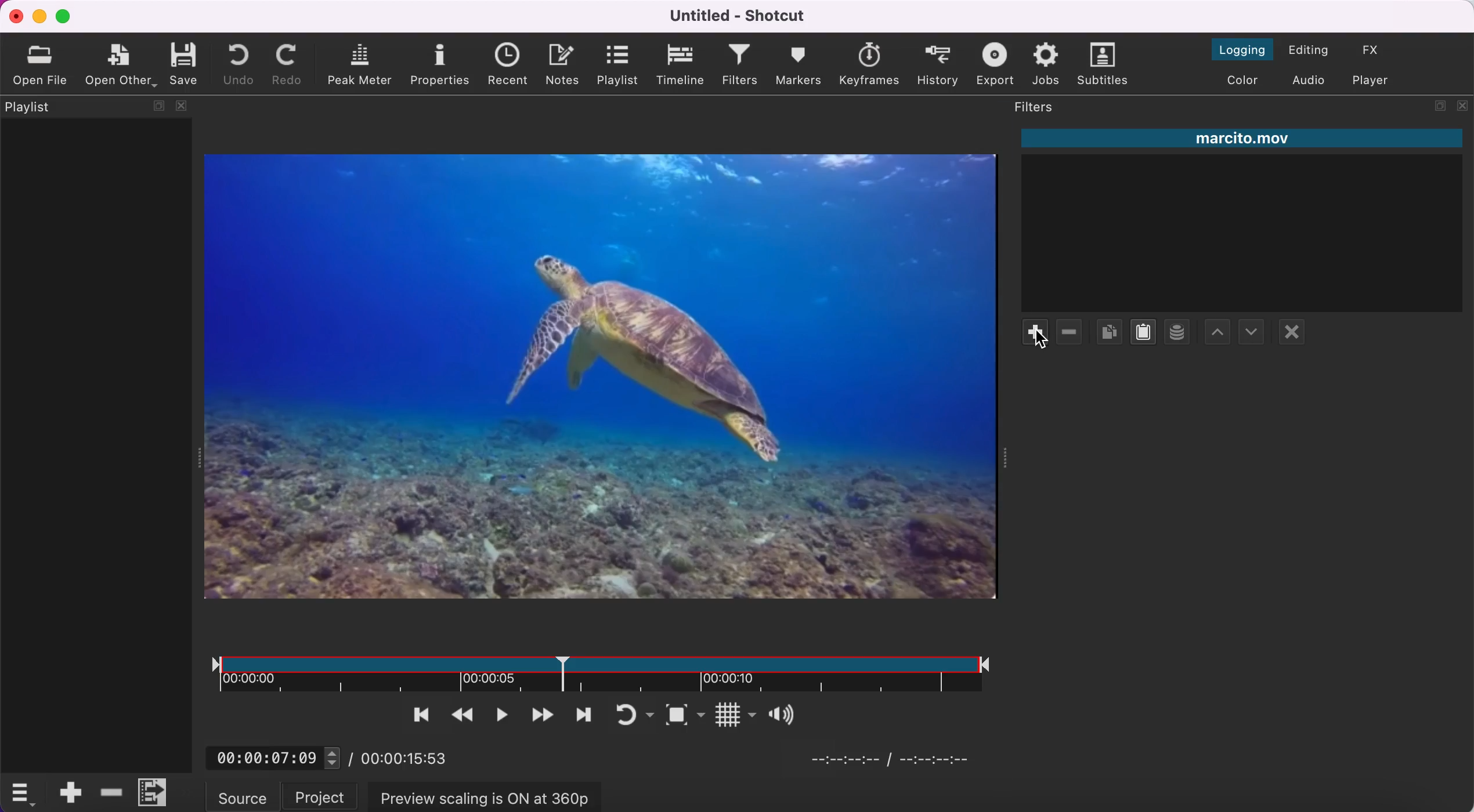 The image size is (1474, 812). I want to click on switch to the effect layout, so click(1383, 50).